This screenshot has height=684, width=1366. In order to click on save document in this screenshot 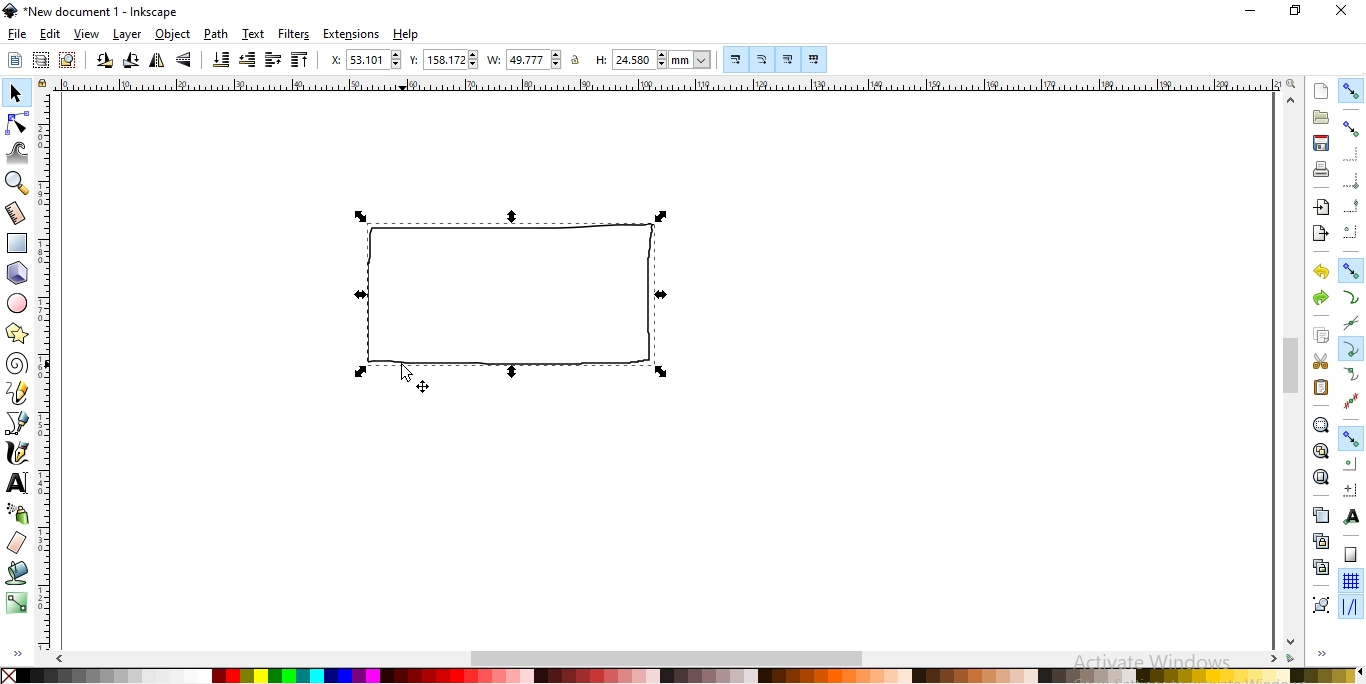, I will do `click(1320, 144)`.